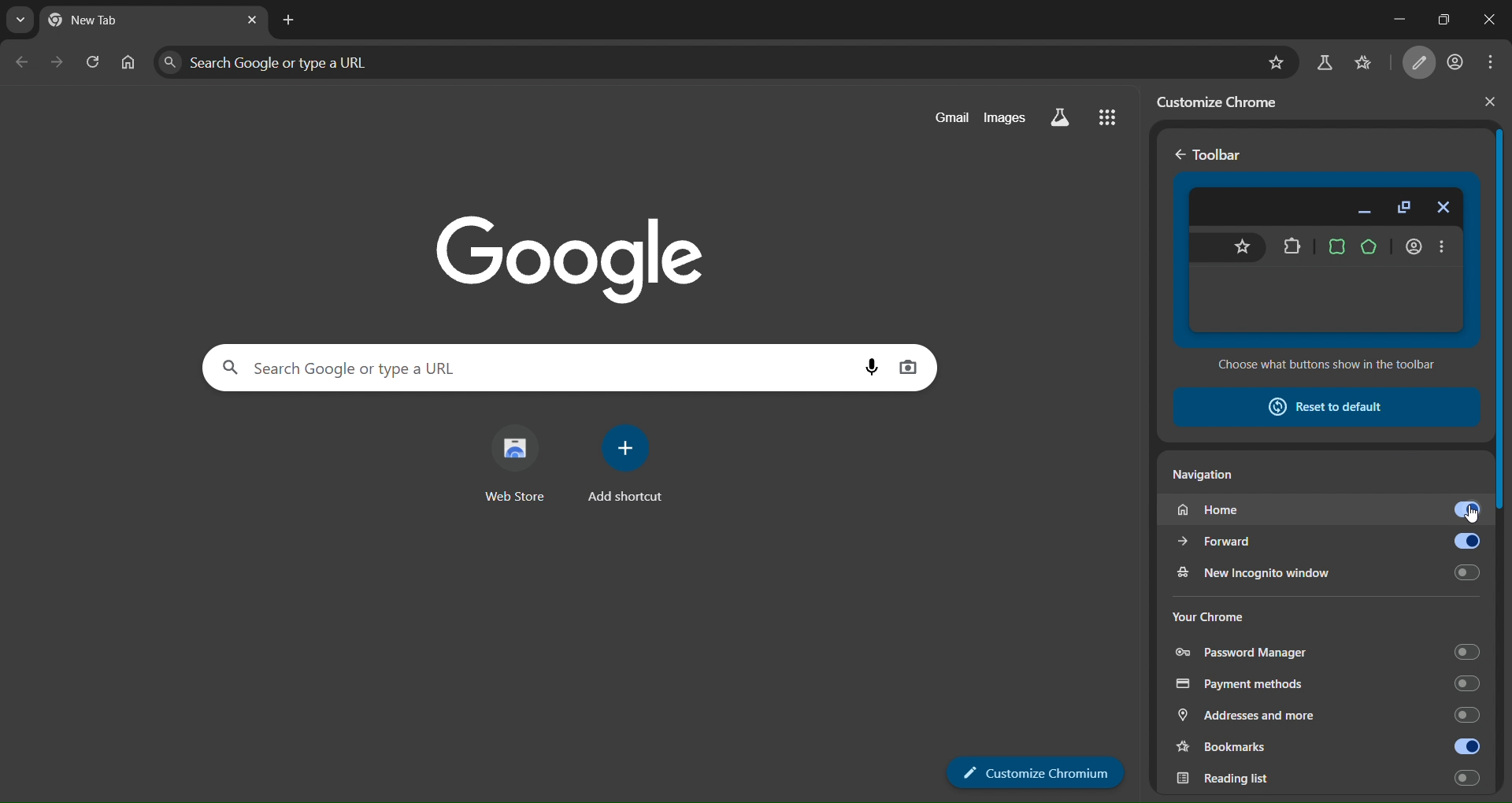  Describe the element at coordinates (1458, 60) in the screenshot. I see `account` at that location.